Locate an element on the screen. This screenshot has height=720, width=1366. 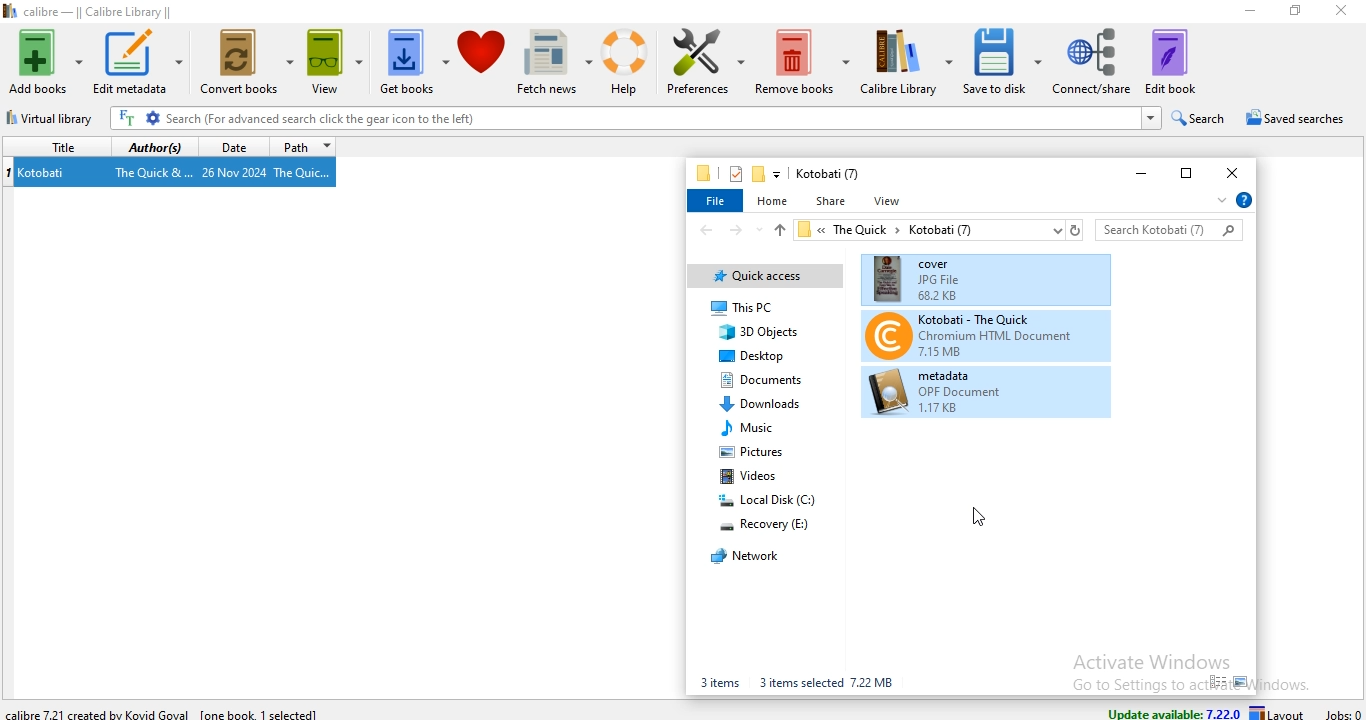
path is located at coordinates (303, 147).